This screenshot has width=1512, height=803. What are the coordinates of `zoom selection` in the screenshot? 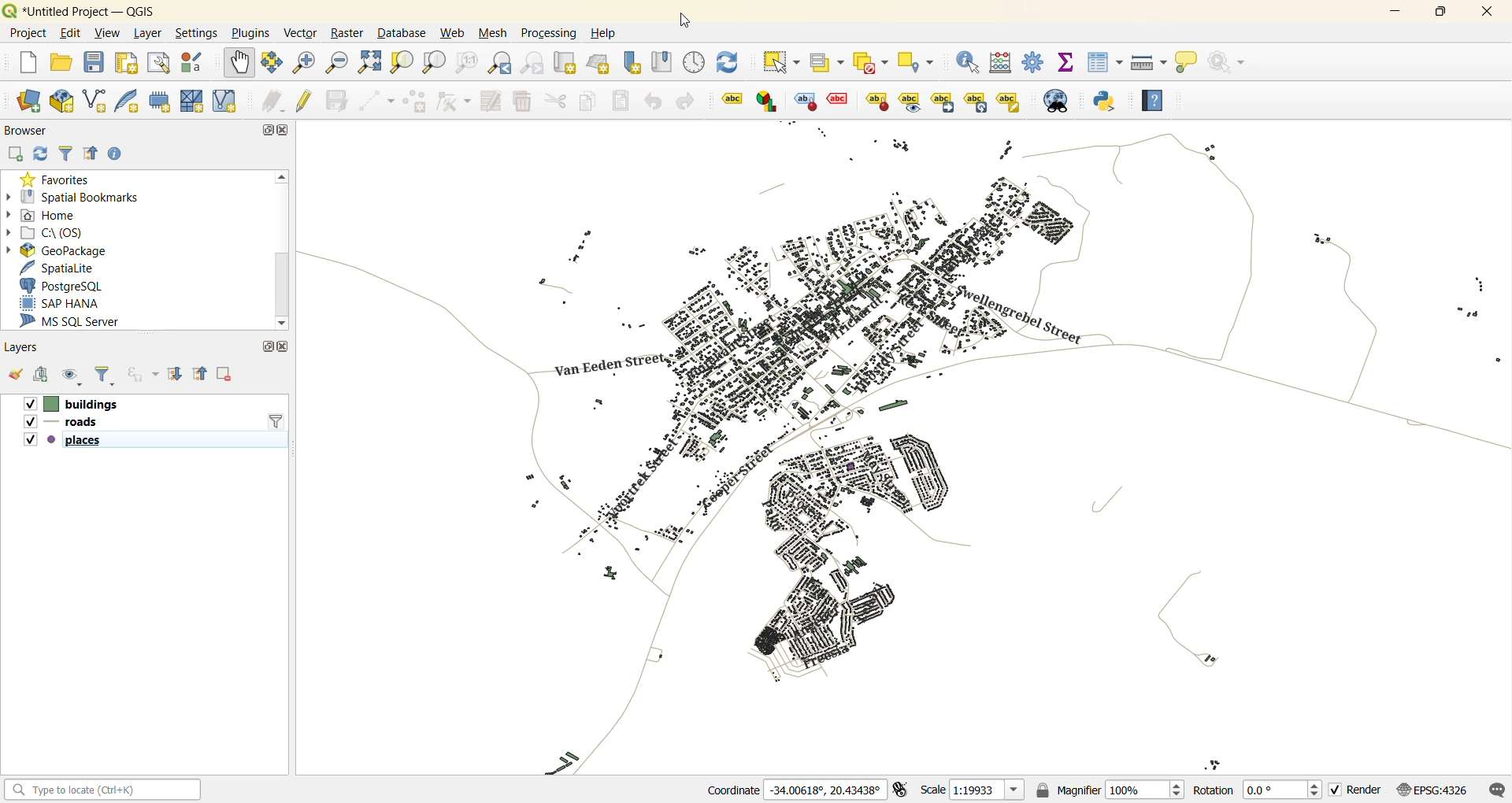 It's located at (372, 65).